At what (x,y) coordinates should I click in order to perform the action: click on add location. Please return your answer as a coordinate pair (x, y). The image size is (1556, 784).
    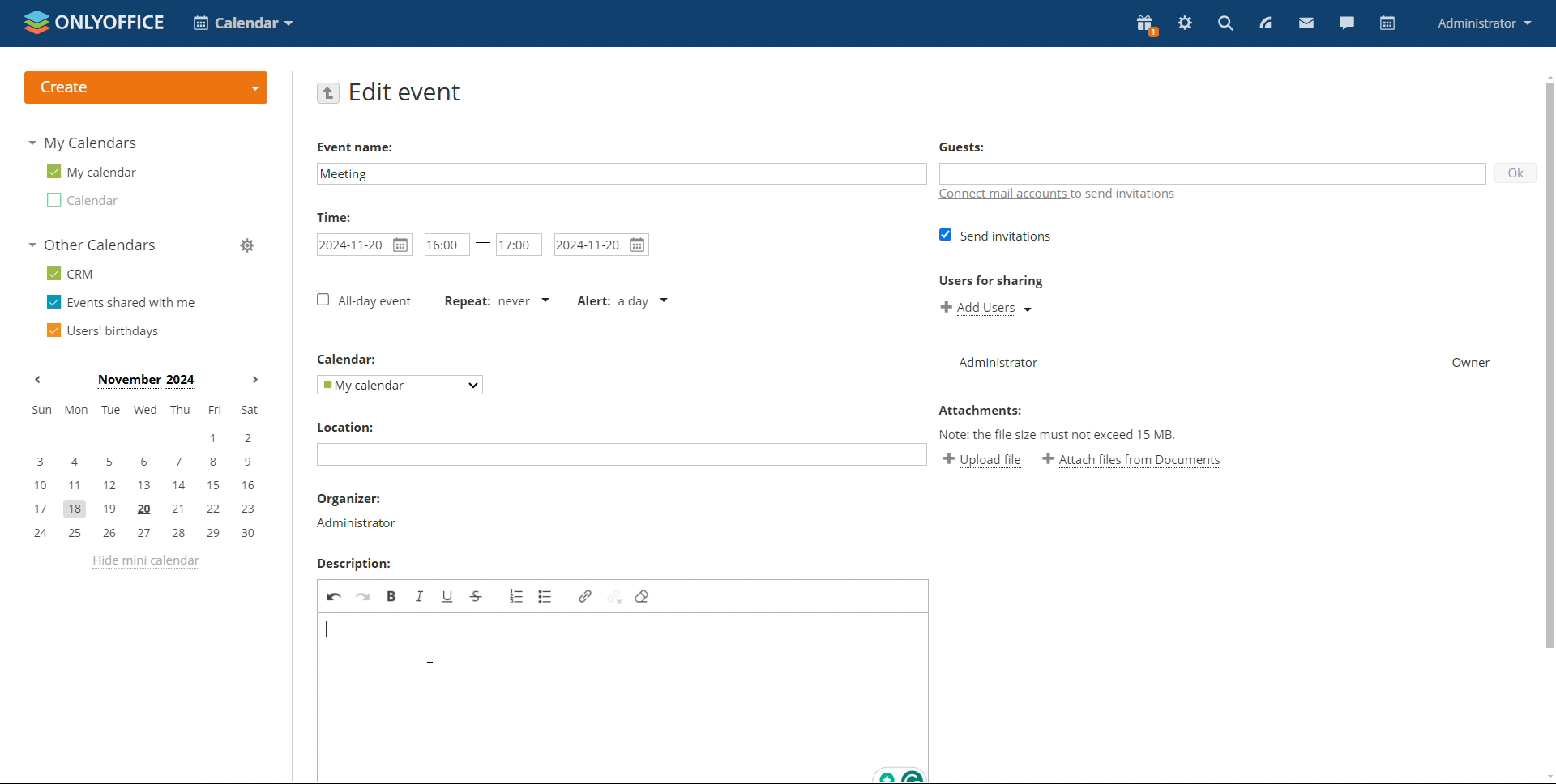
    Looking at the image, I should click on (621, 454).